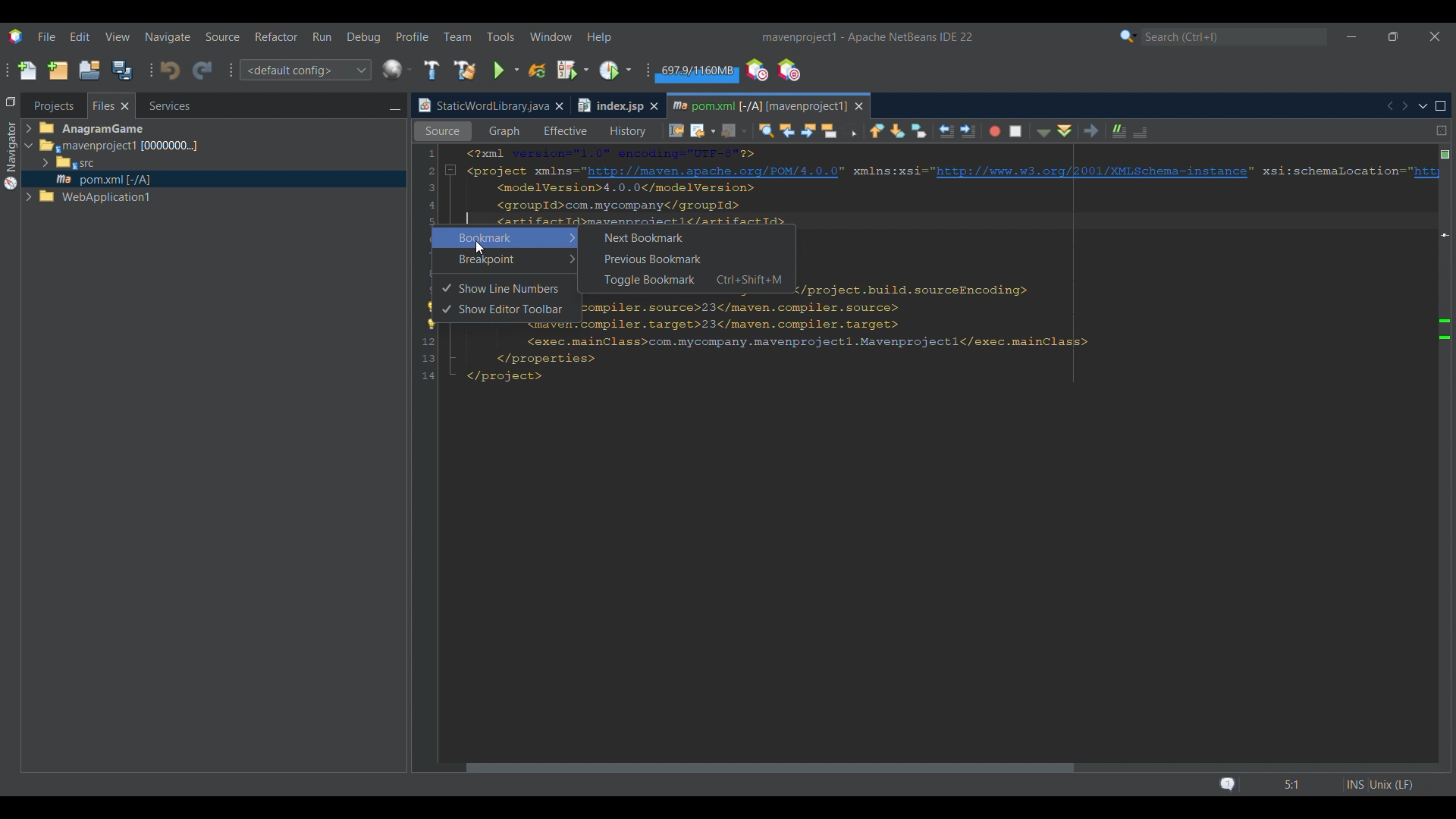 The width and height of the screenshot is (1456, 819). What do you see at coordinates (281, 145) in the screenshot?
I see `Selected tab highlighted` at bounding box center [281, 145].